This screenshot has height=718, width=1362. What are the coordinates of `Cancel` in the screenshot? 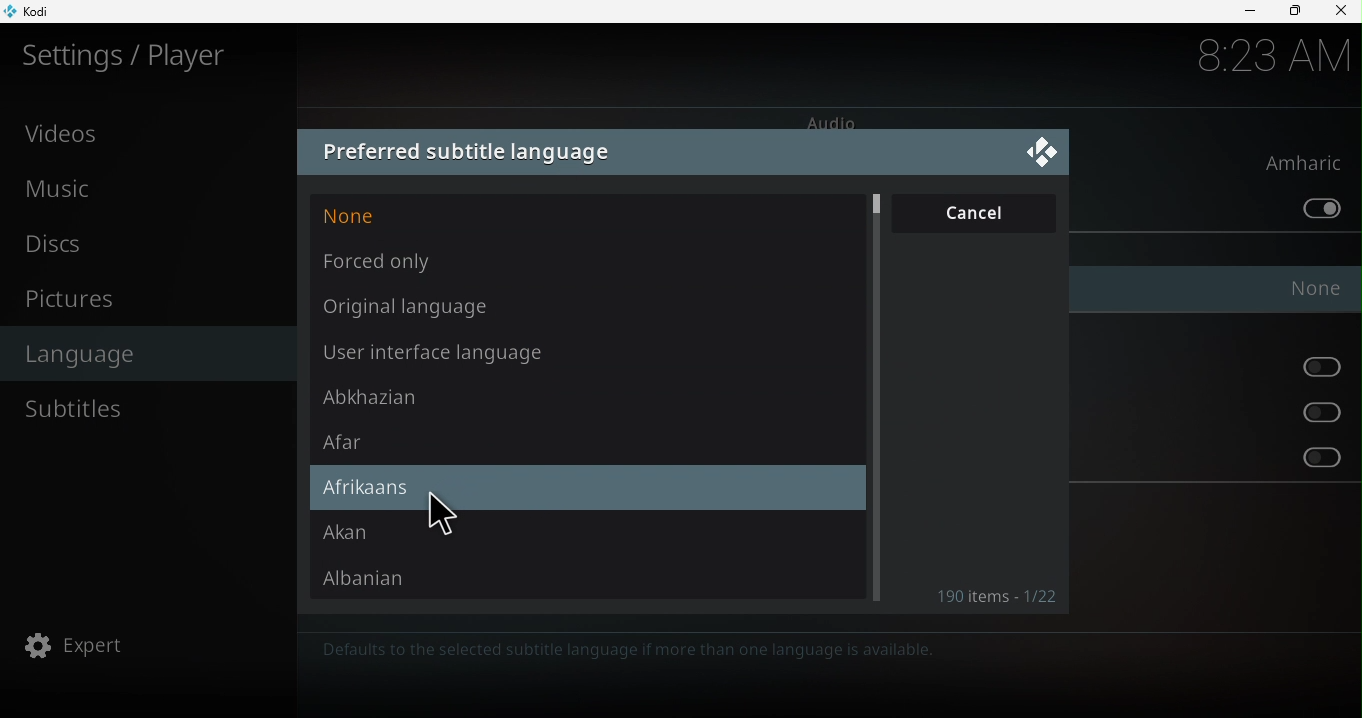 It's located at (988, 210).